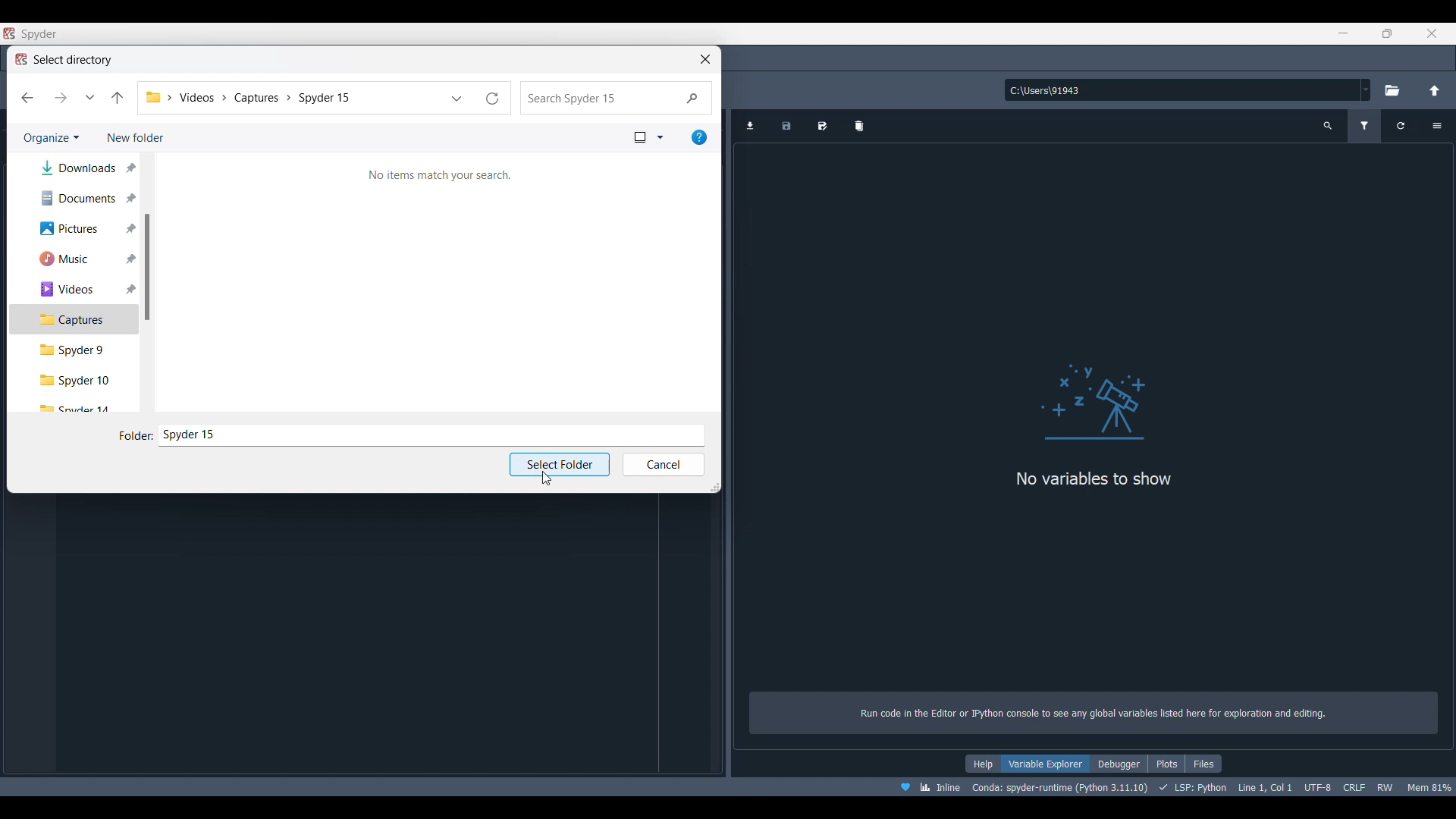 The width and height of the screenshot is (1456, 819). Describe the element at coordinates (1181, 90) in the screenshot. I see `Input location` at that location.